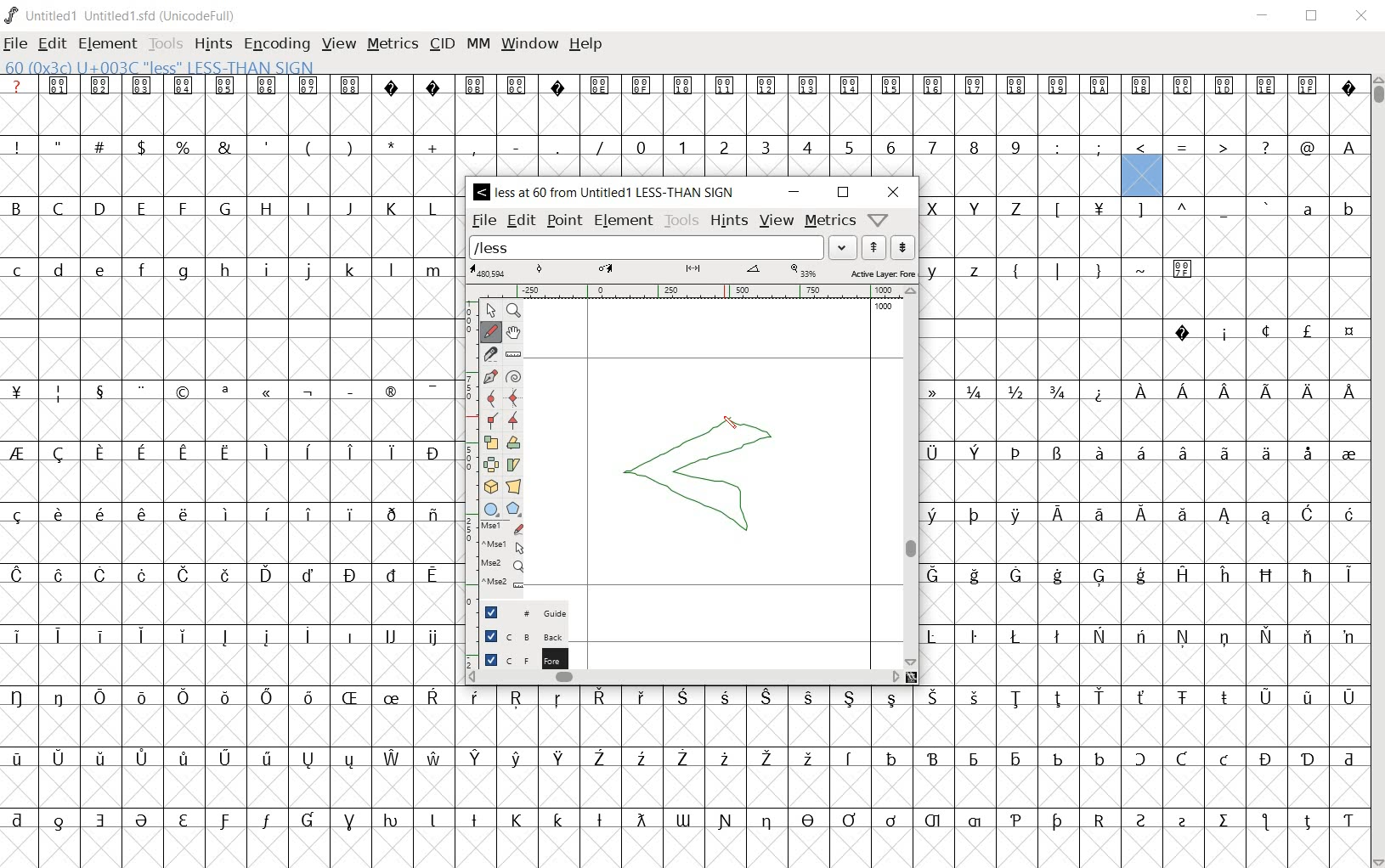  I want to click on foreground, so click(517, 656).